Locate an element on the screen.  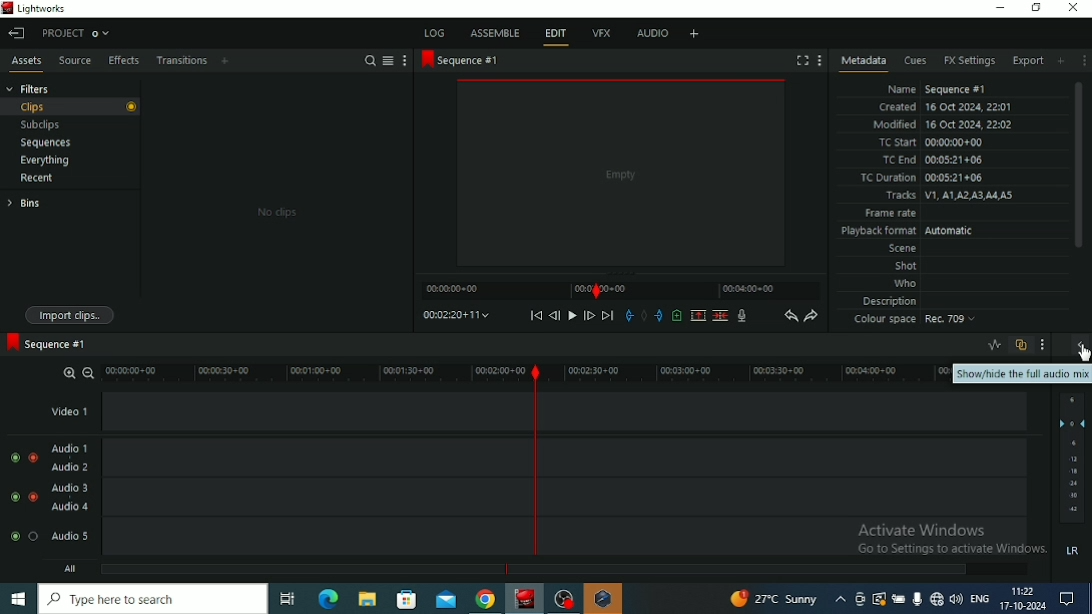
Remove the marked section is located at coordinates (698, 316).